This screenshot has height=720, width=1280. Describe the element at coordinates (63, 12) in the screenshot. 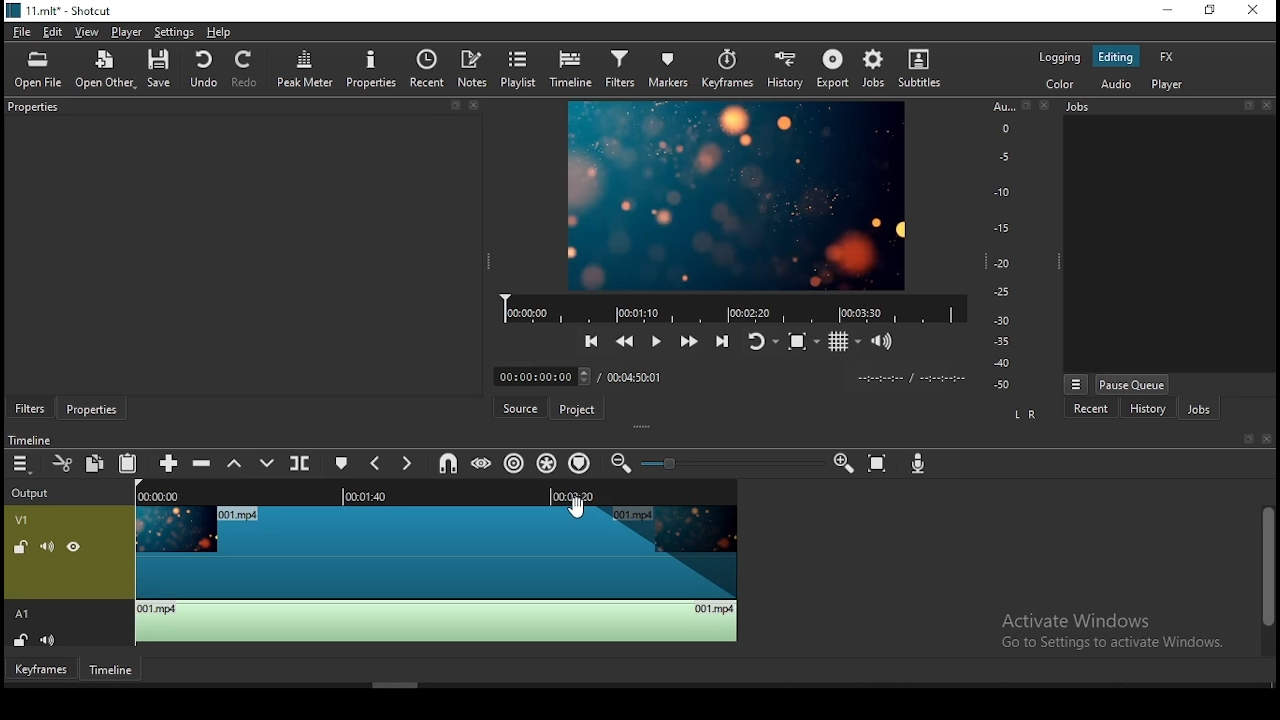

I see `11.mlt* -shotcut` at that location.